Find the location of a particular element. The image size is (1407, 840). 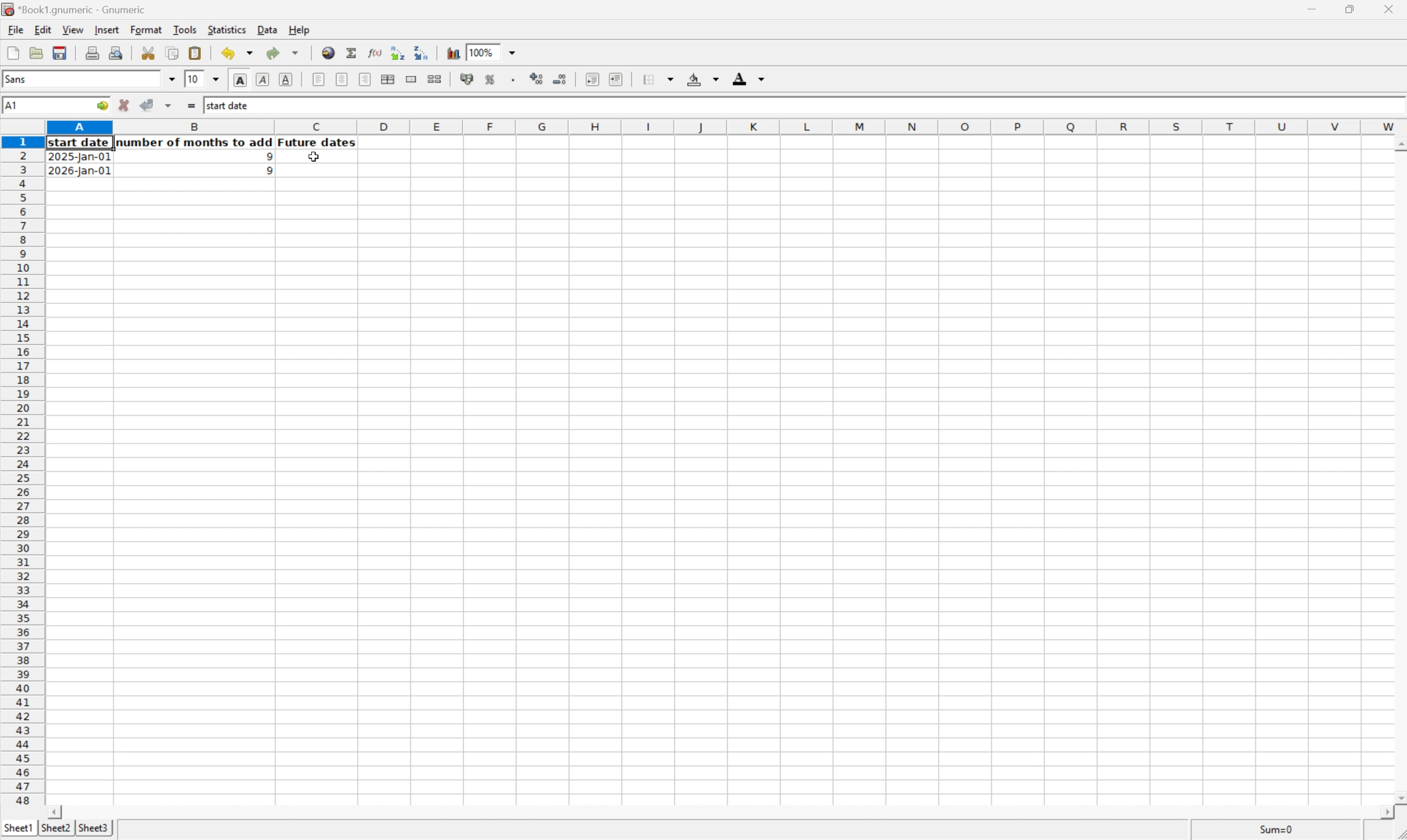

Bold is located at coordinates (240, 80).